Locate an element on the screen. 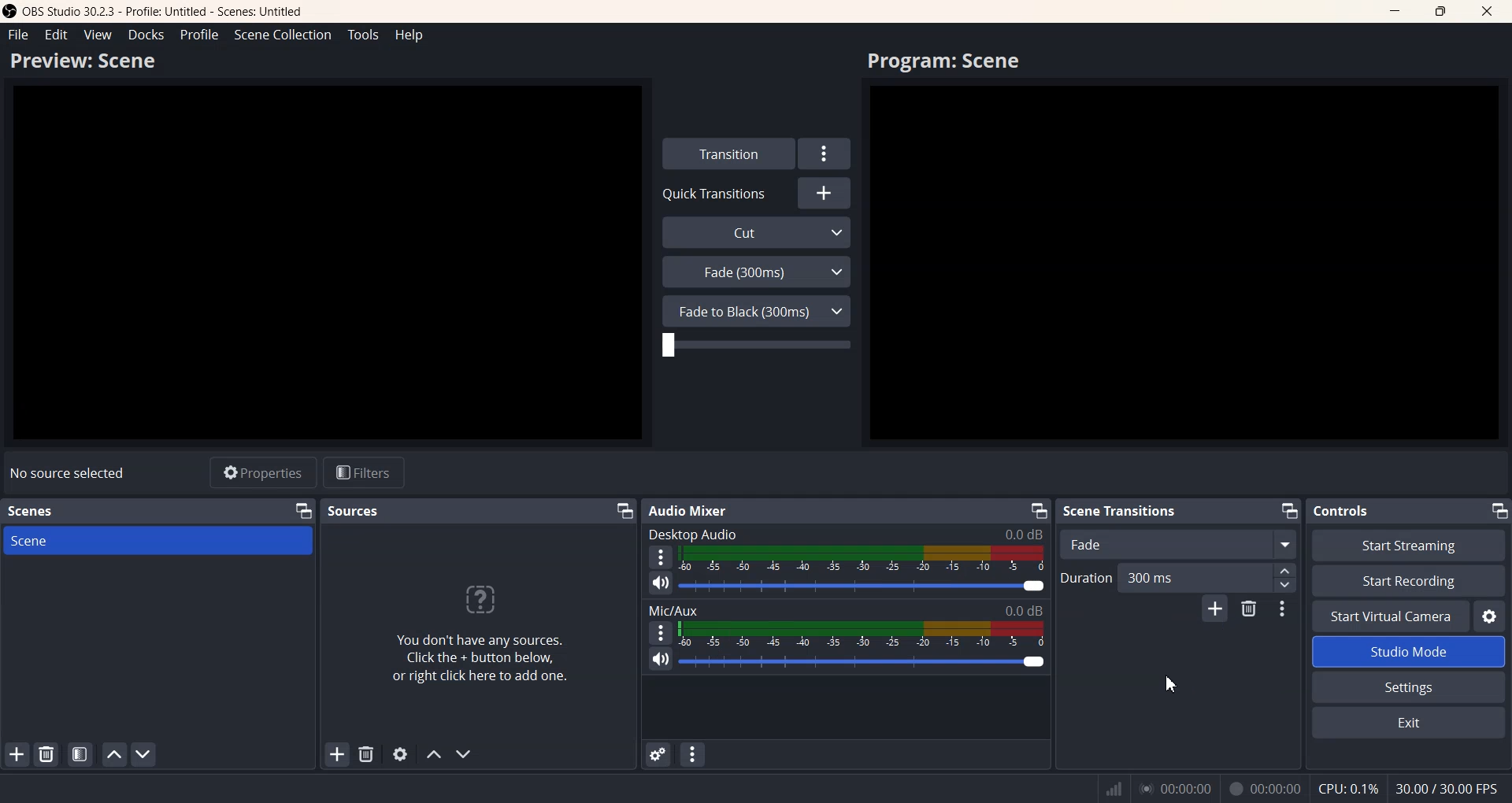  Help is located at coordinates (411, 35).